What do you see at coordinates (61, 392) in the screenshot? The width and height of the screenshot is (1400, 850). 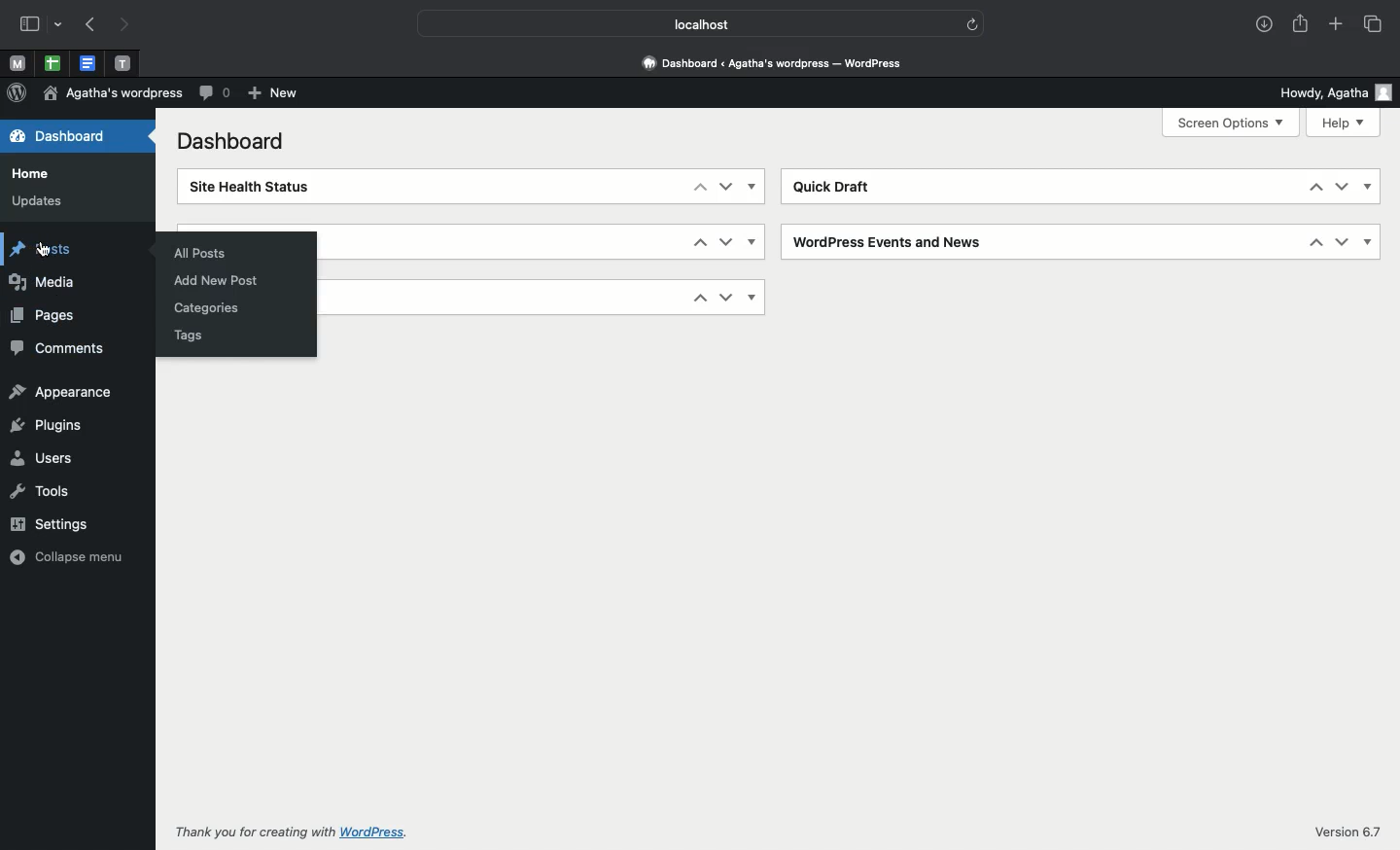 I see `Appearance` at bounding box center [61, 392].